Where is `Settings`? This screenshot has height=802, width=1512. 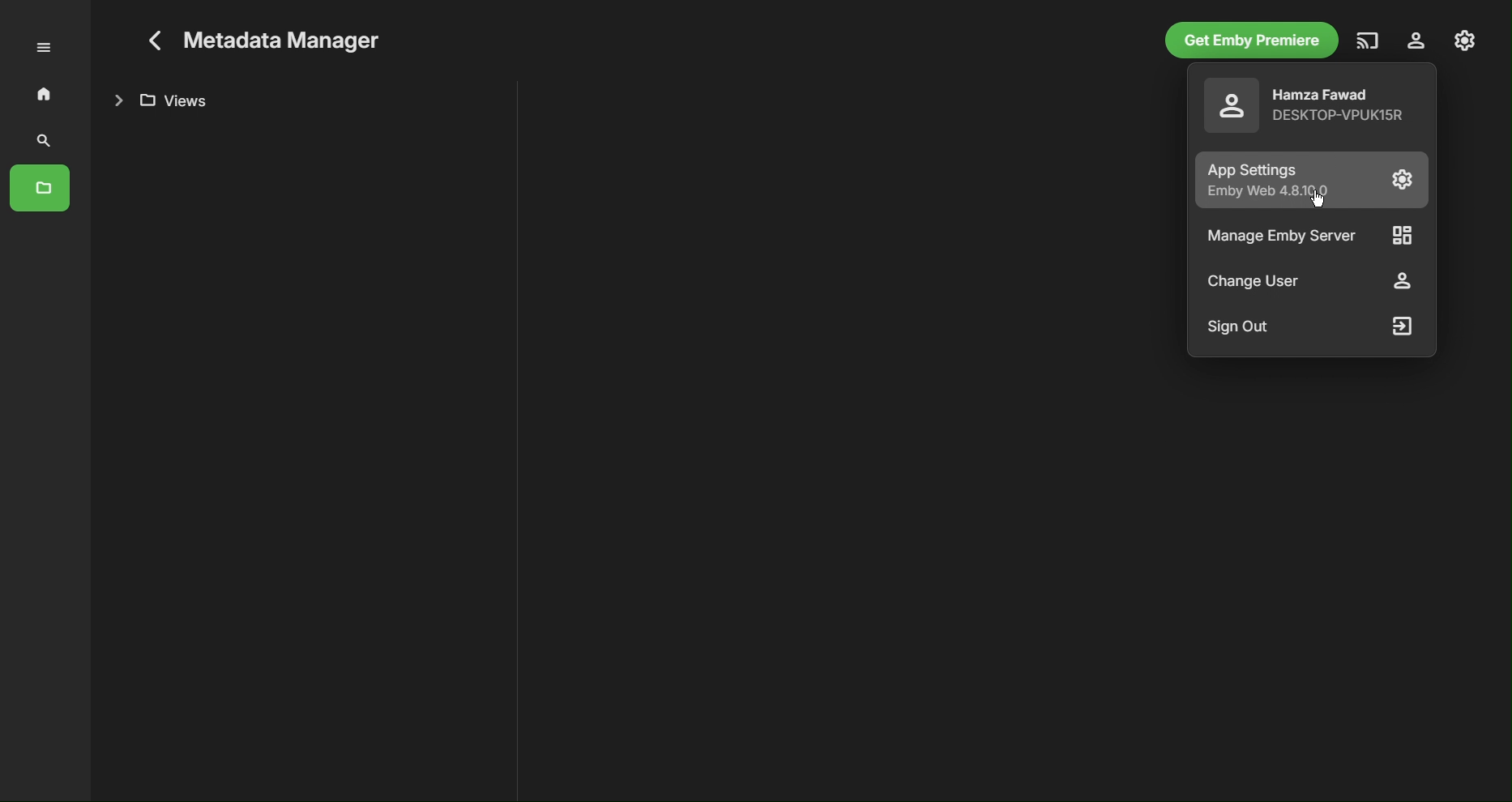
Settings is located at coordinates (1464, 42).